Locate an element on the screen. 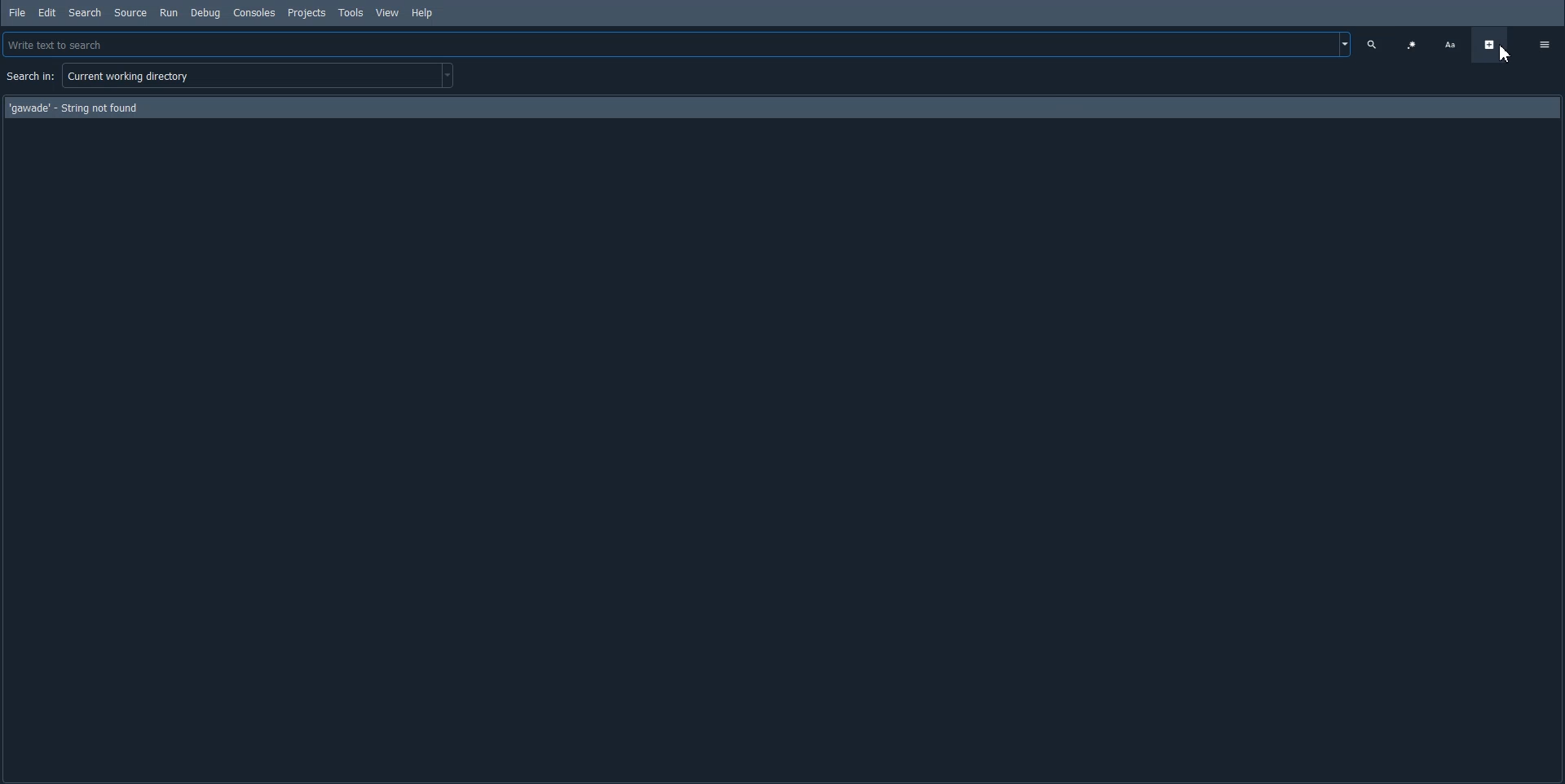 Image resolution: width=1565 pixels, height=784 pixels. Search Text is located at coordinates (1374, 44).